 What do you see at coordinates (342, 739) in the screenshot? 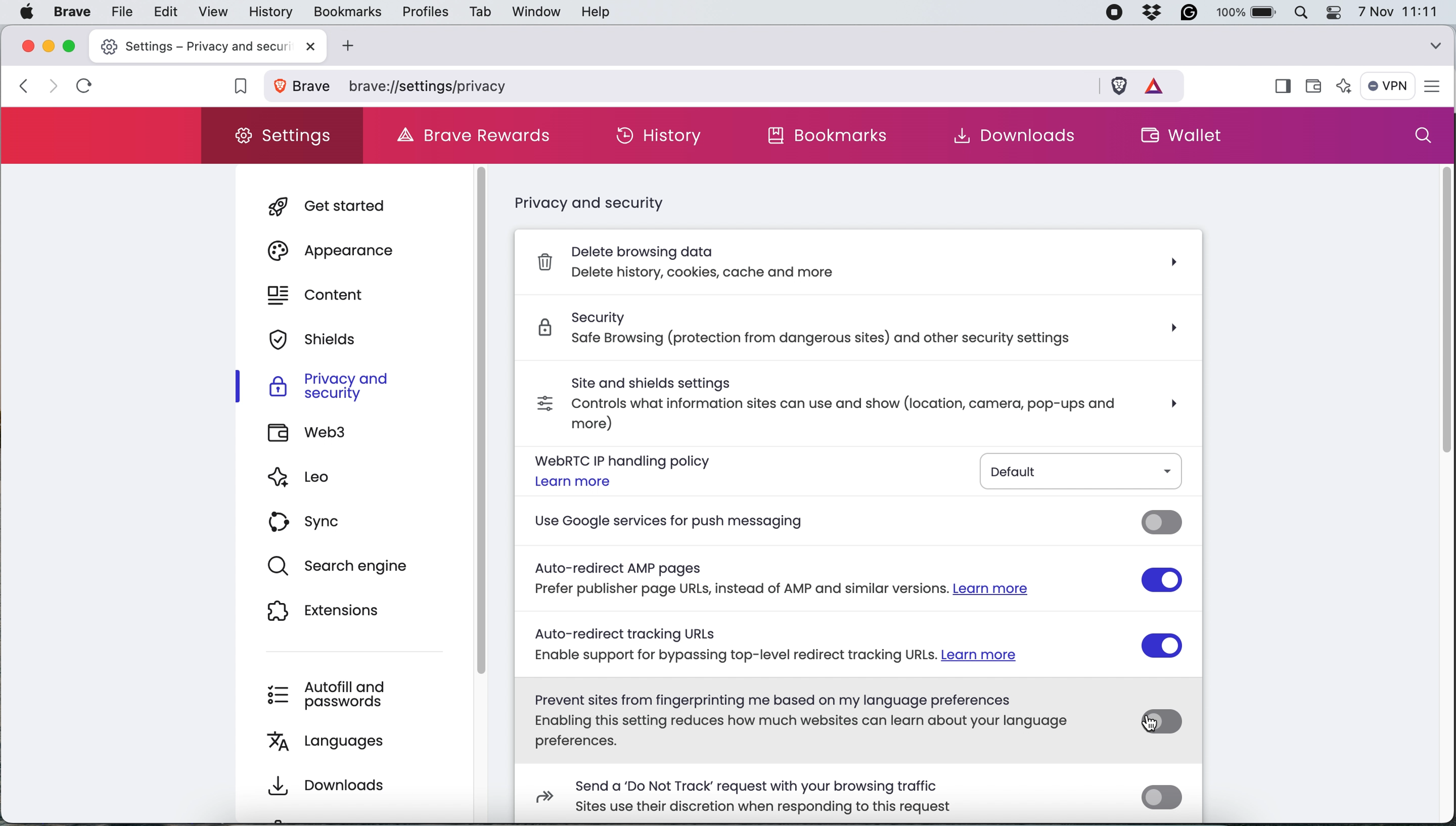
I see `languages` at bounding box center [342, 739].